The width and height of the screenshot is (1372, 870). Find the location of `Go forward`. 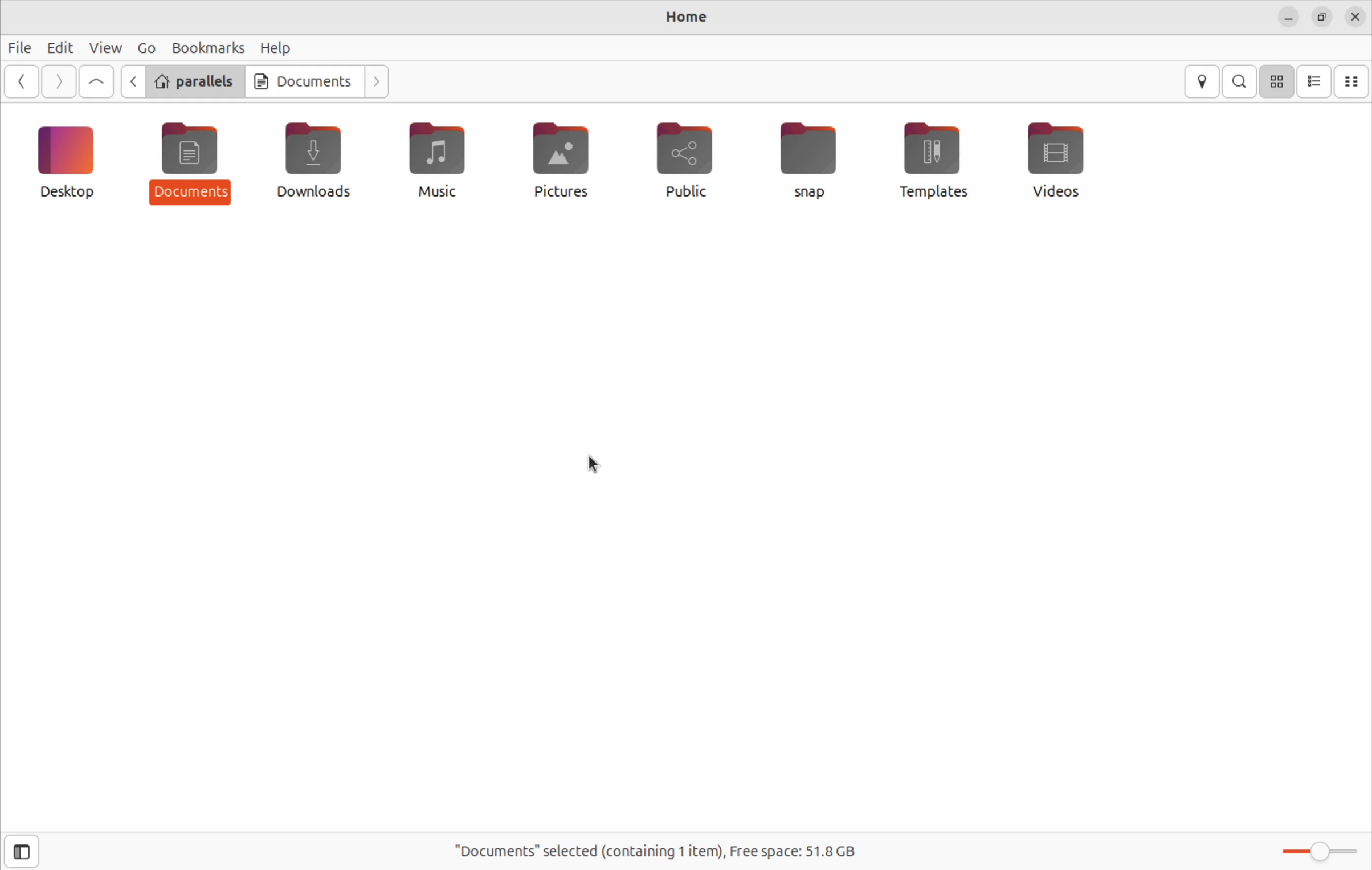

Go forward is located at coordinates (59, 81).